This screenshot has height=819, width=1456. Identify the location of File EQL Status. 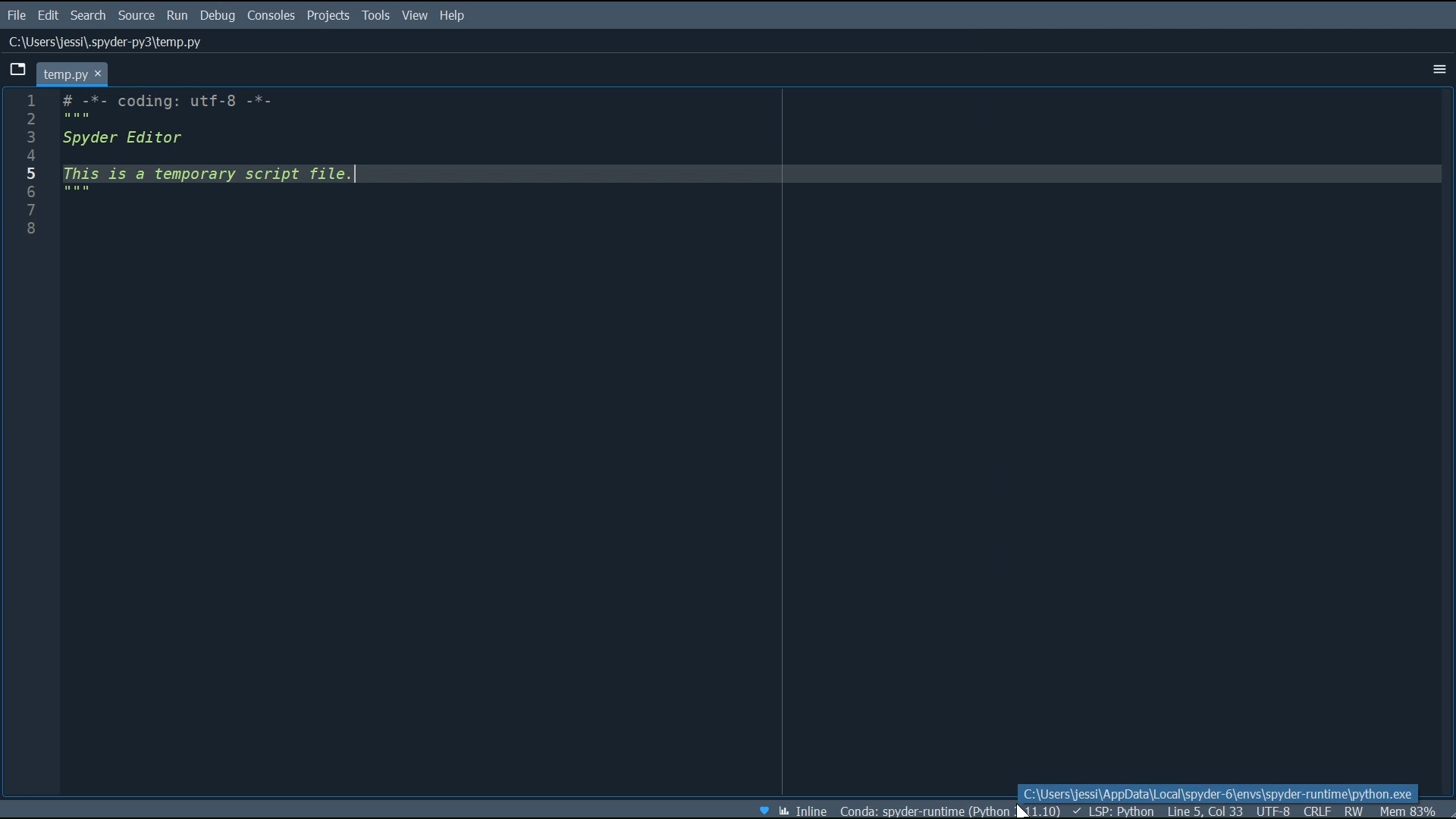
(1318, 811).